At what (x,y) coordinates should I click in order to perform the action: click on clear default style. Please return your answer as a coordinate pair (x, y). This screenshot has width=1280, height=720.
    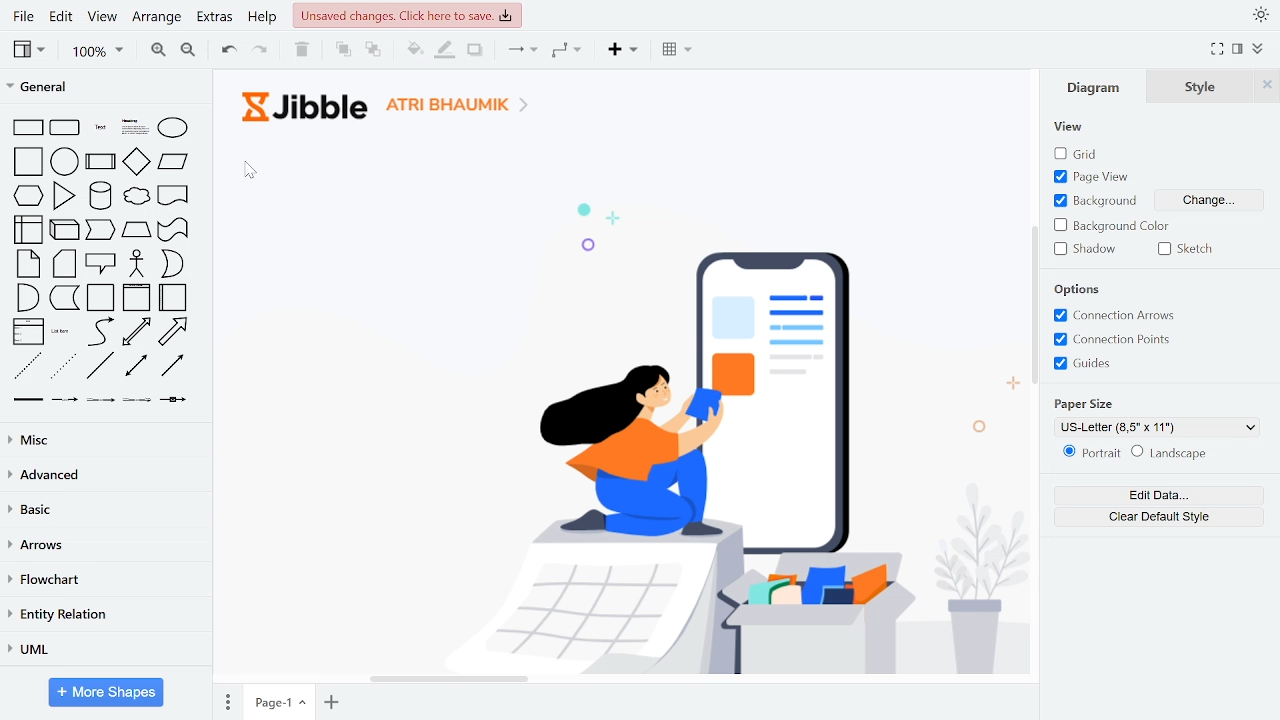
    Looking at the image, I should click on (1162, 514).